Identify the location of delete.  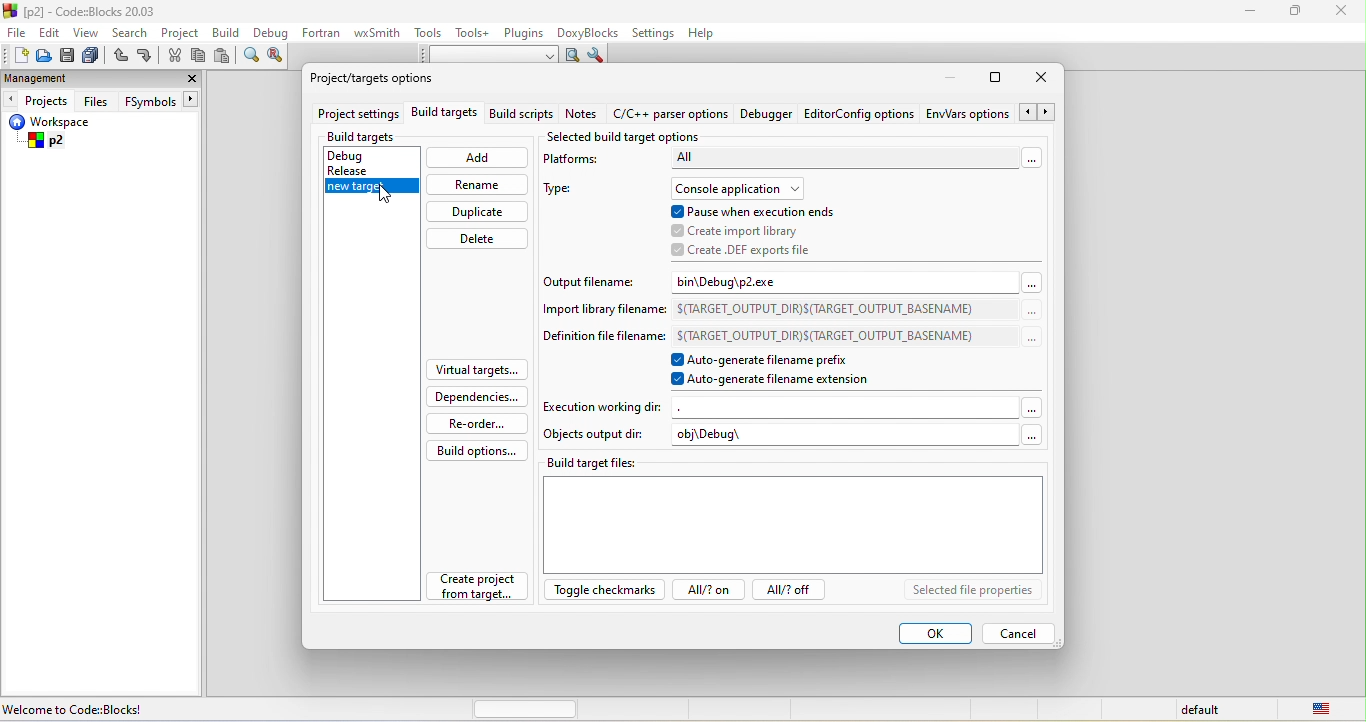
(479, 239).